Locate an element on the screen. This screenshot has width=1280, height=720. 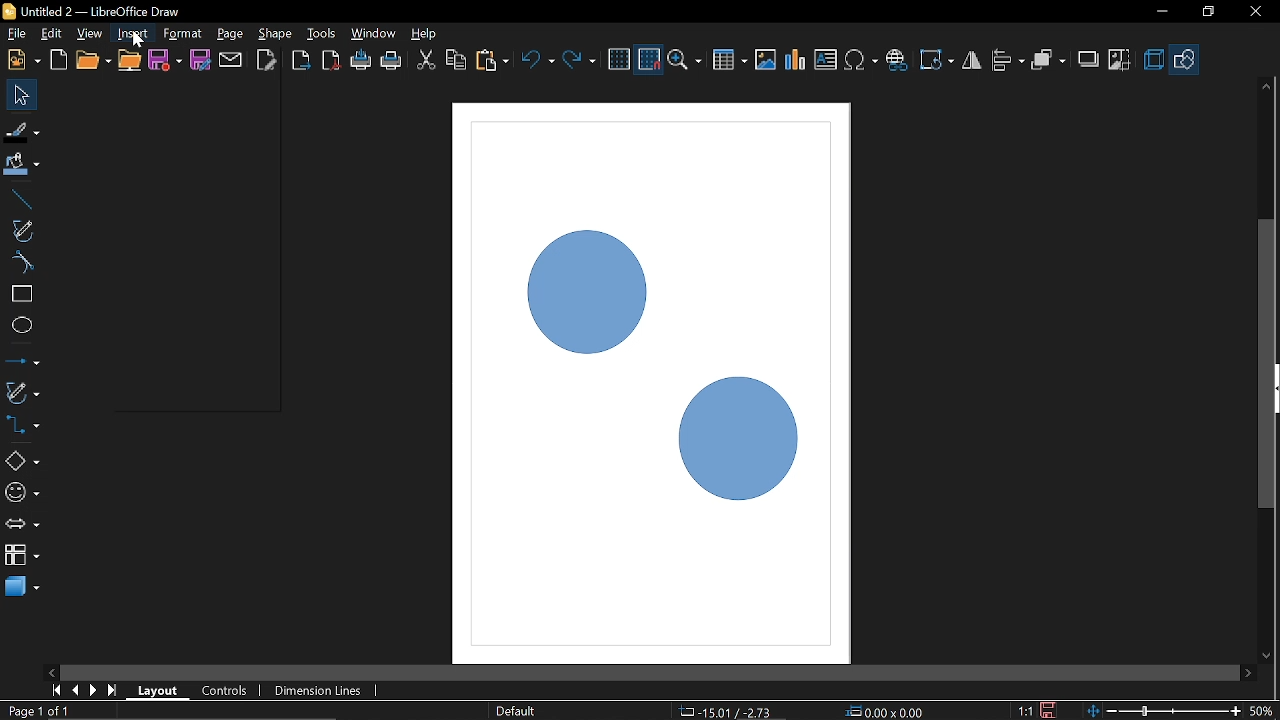
Line is located at coordinates (19, 200).